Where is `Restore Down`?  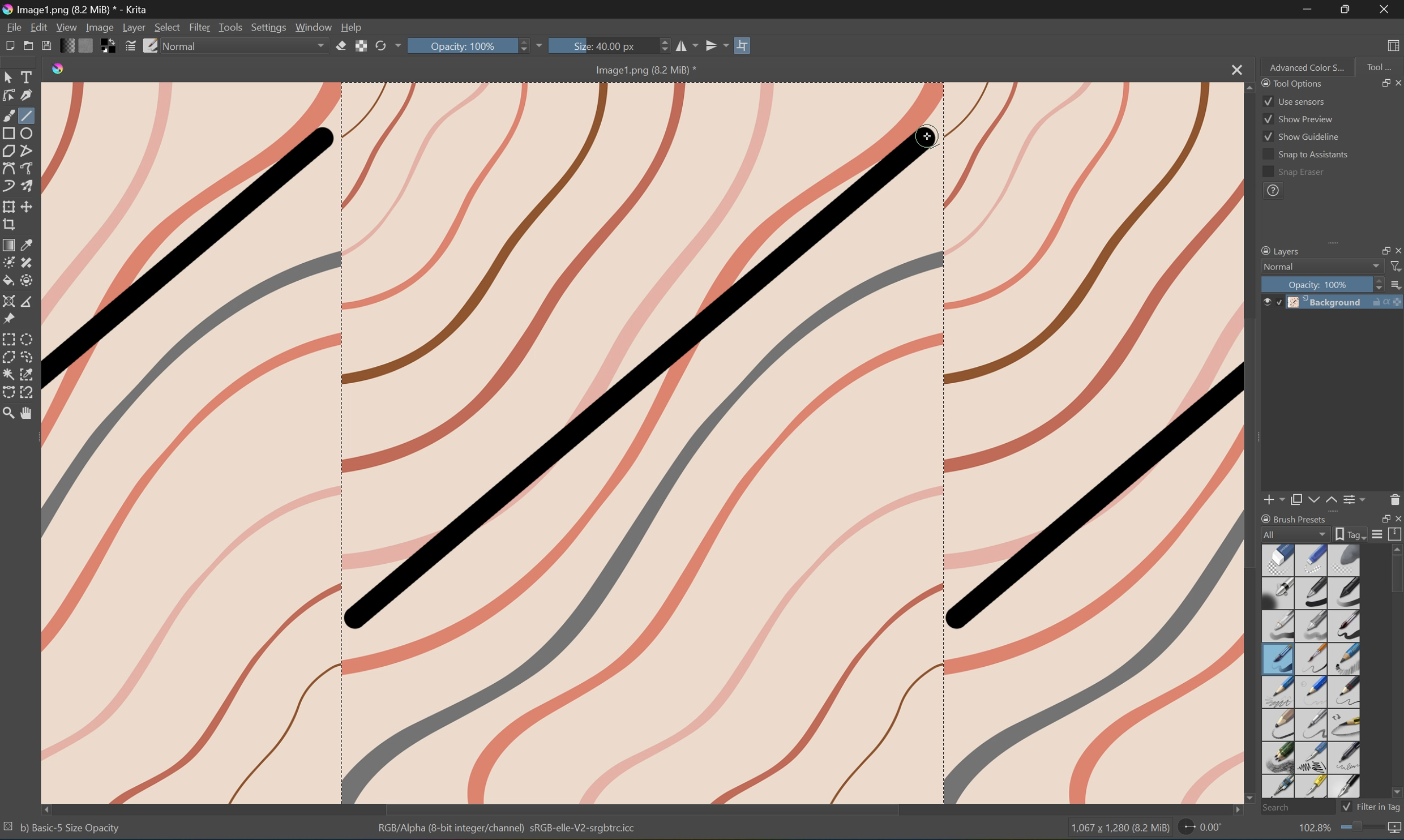 Restore Down is located at coordinates (1349, 9).